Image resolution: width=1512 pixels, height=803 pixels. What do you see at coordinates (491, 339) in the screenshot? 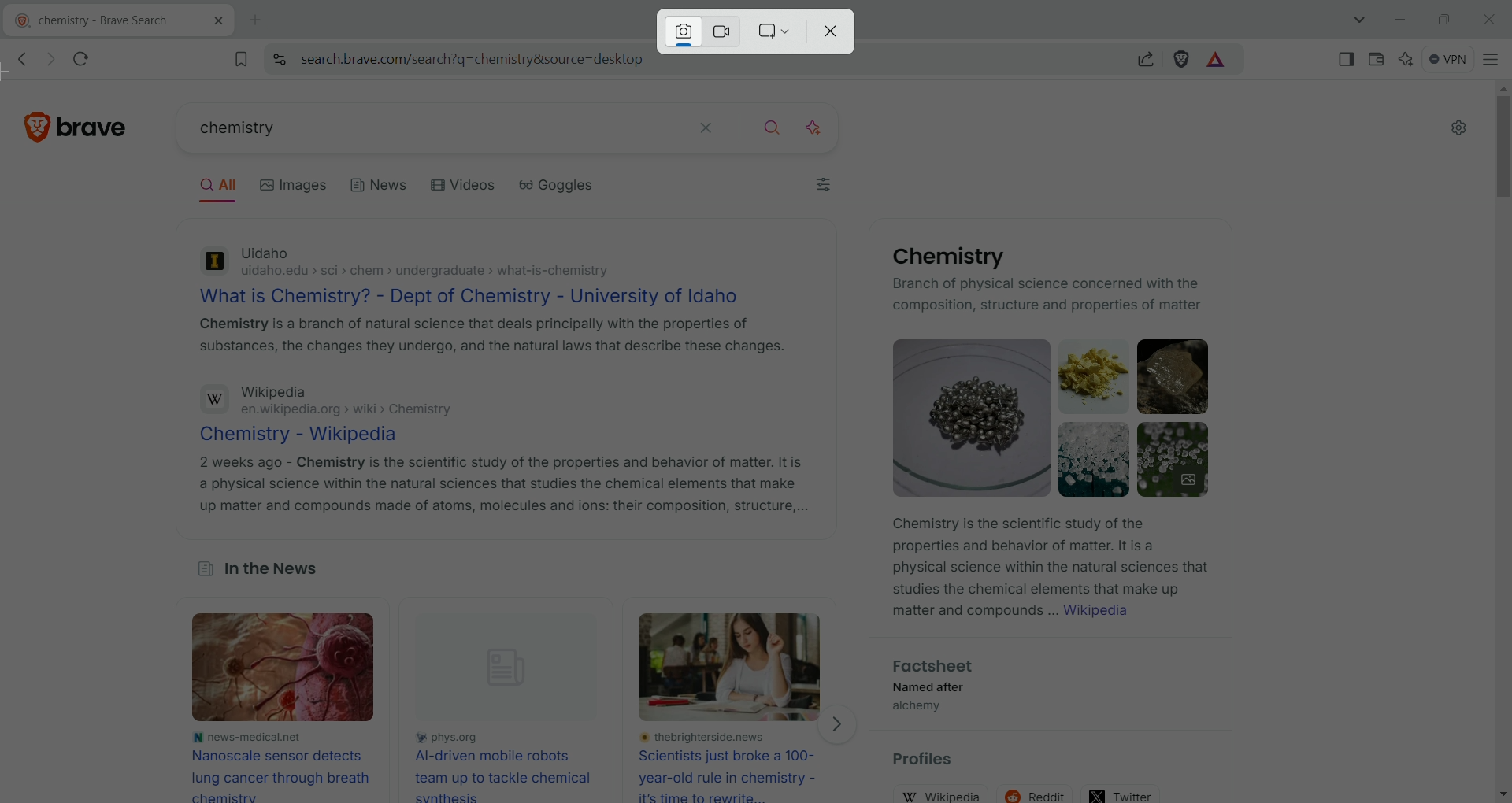
I see `Chemistry Is a branch of natural science that deals principally with the properties of
substances, the changes they undergo, and the natural laws that describe these changes.` at bounding box center [491, 339].